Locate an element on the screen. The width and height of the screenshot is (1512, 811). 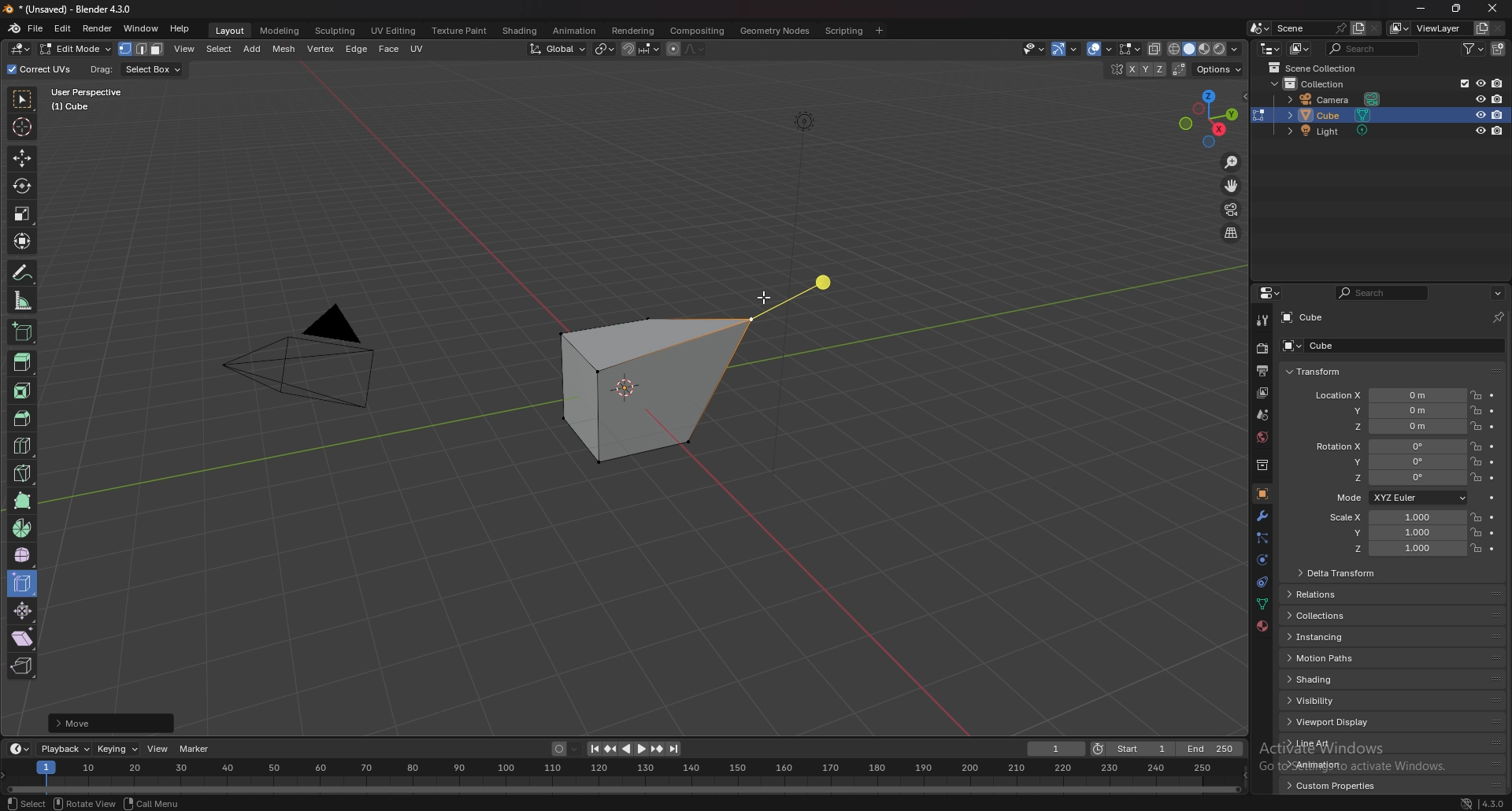
tool is located at coordinates (1262, 320).